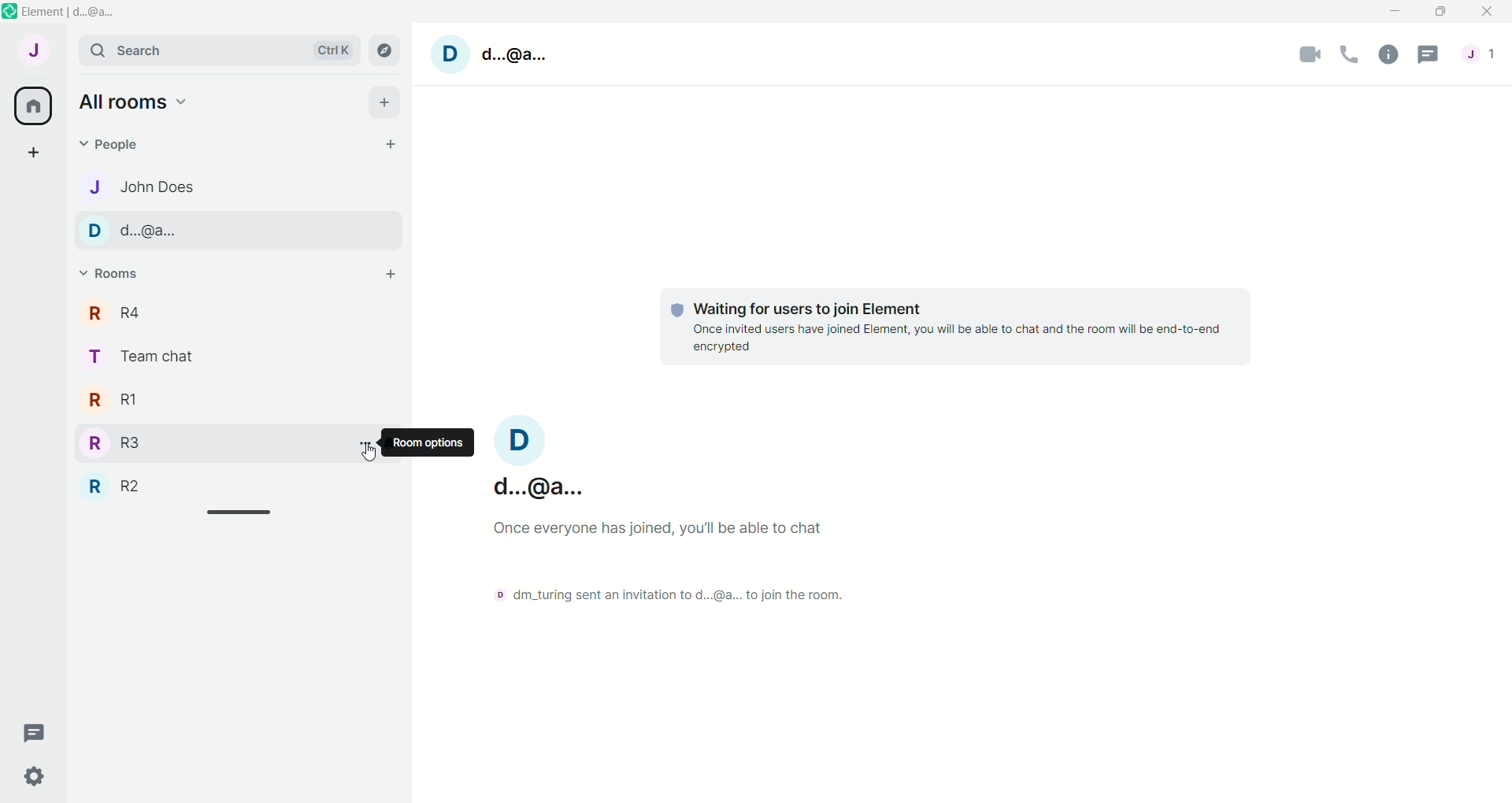  What do you see at coordinates (391, 146) in the screenshot?
I see `start chat` at bounding box center [391, 146].